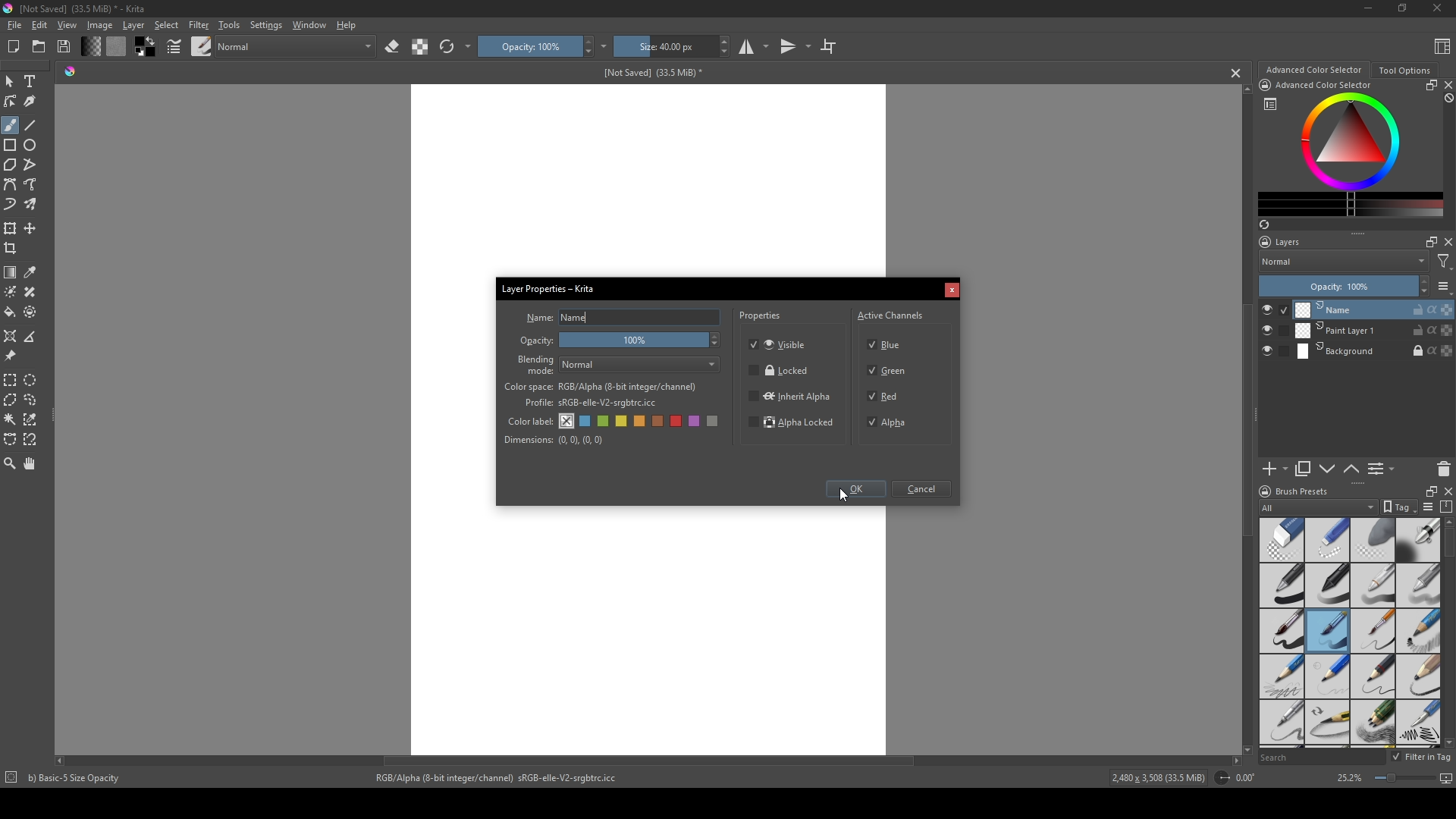 Image resolution: width=1456 pixels, height=819 pixels. Describe the element at coordinates (1236, 761) in the screenshot. I see `scroll right` at that location.